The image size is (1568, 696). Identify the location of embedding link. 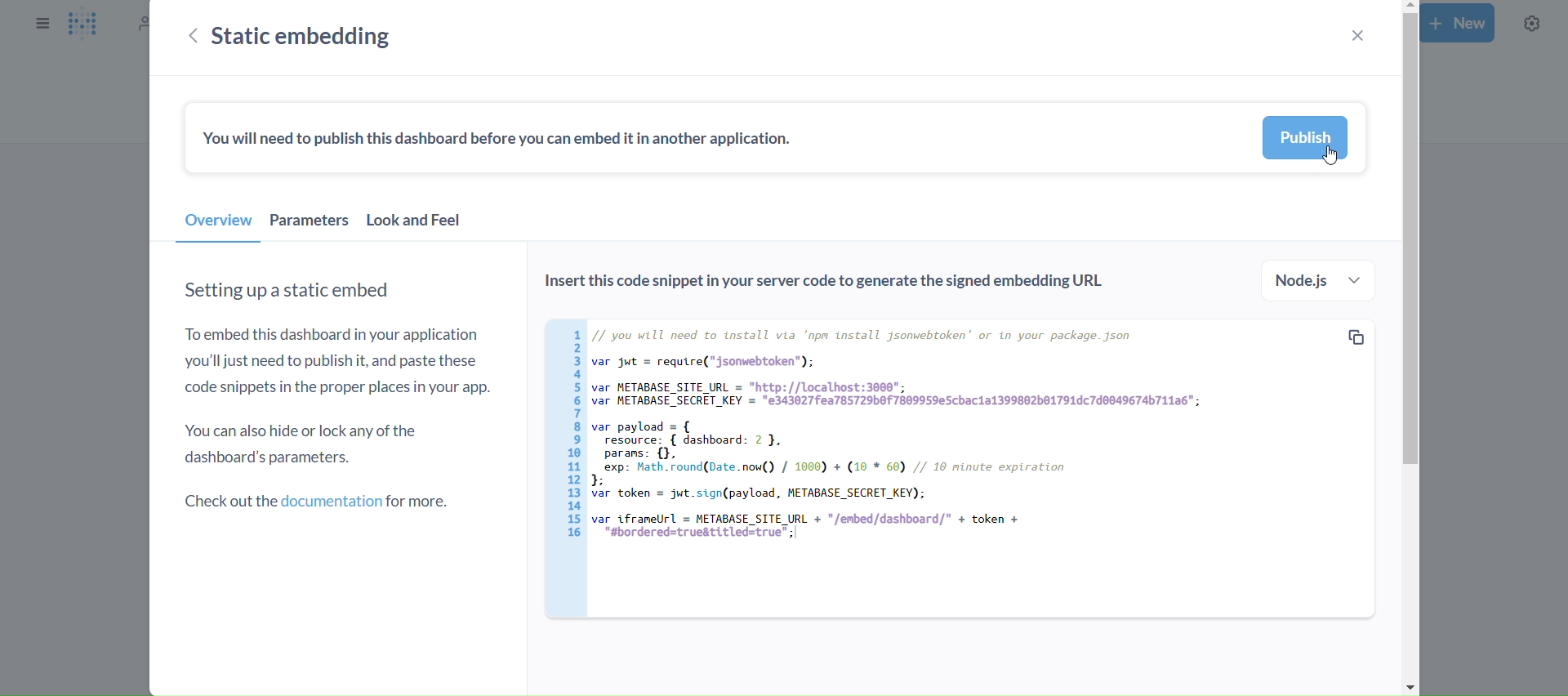
(951, 468).